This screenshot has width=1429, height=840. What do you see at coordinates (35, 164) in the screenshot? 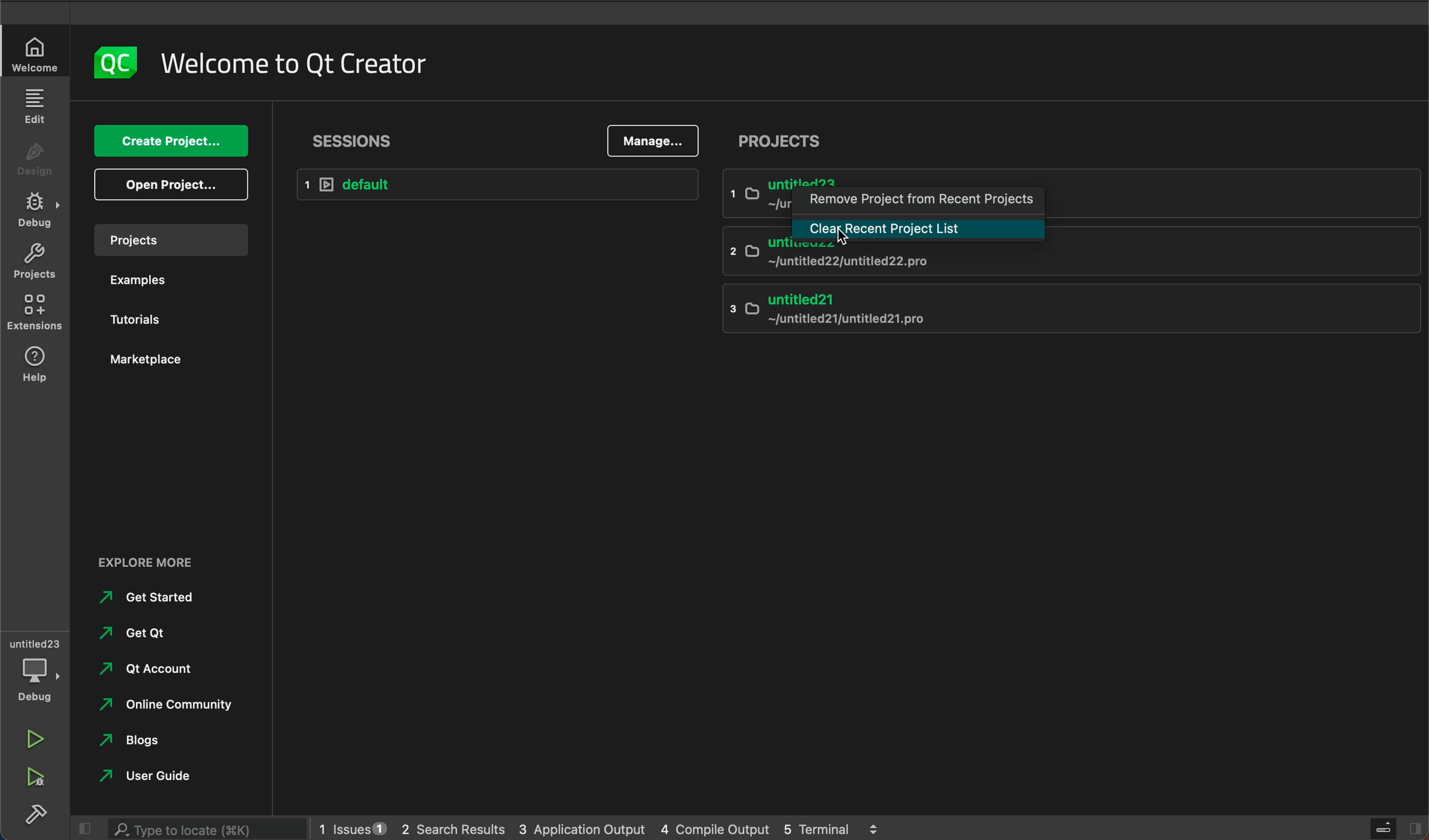
I see `design` at bounding box center [35, 164].